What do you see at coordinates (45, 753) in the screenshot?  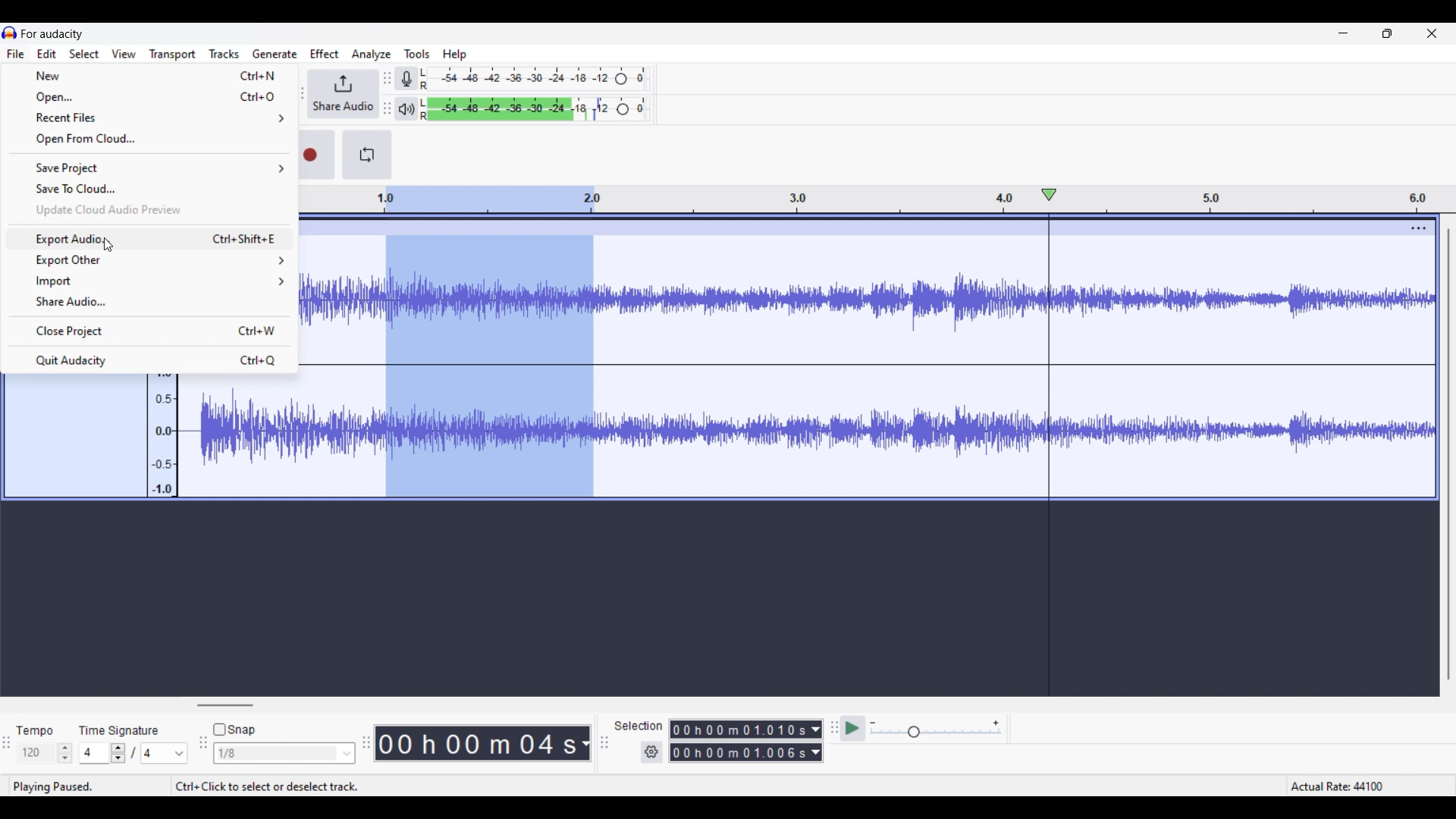 I see `Tempo settings` at bounding box center [45, 753].